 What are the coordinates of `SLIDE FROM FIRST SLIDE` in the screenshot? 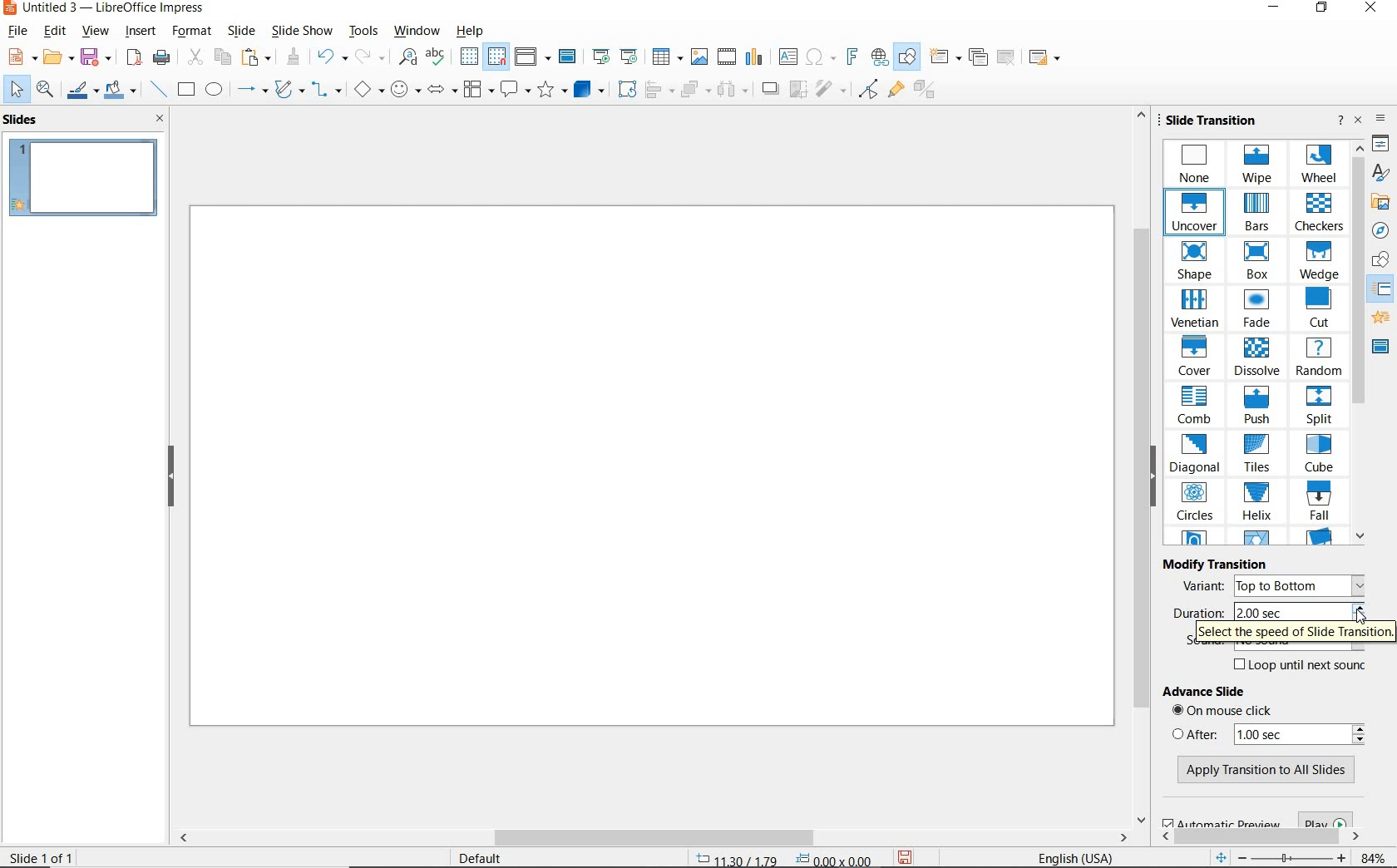 It's located at (600, 57).